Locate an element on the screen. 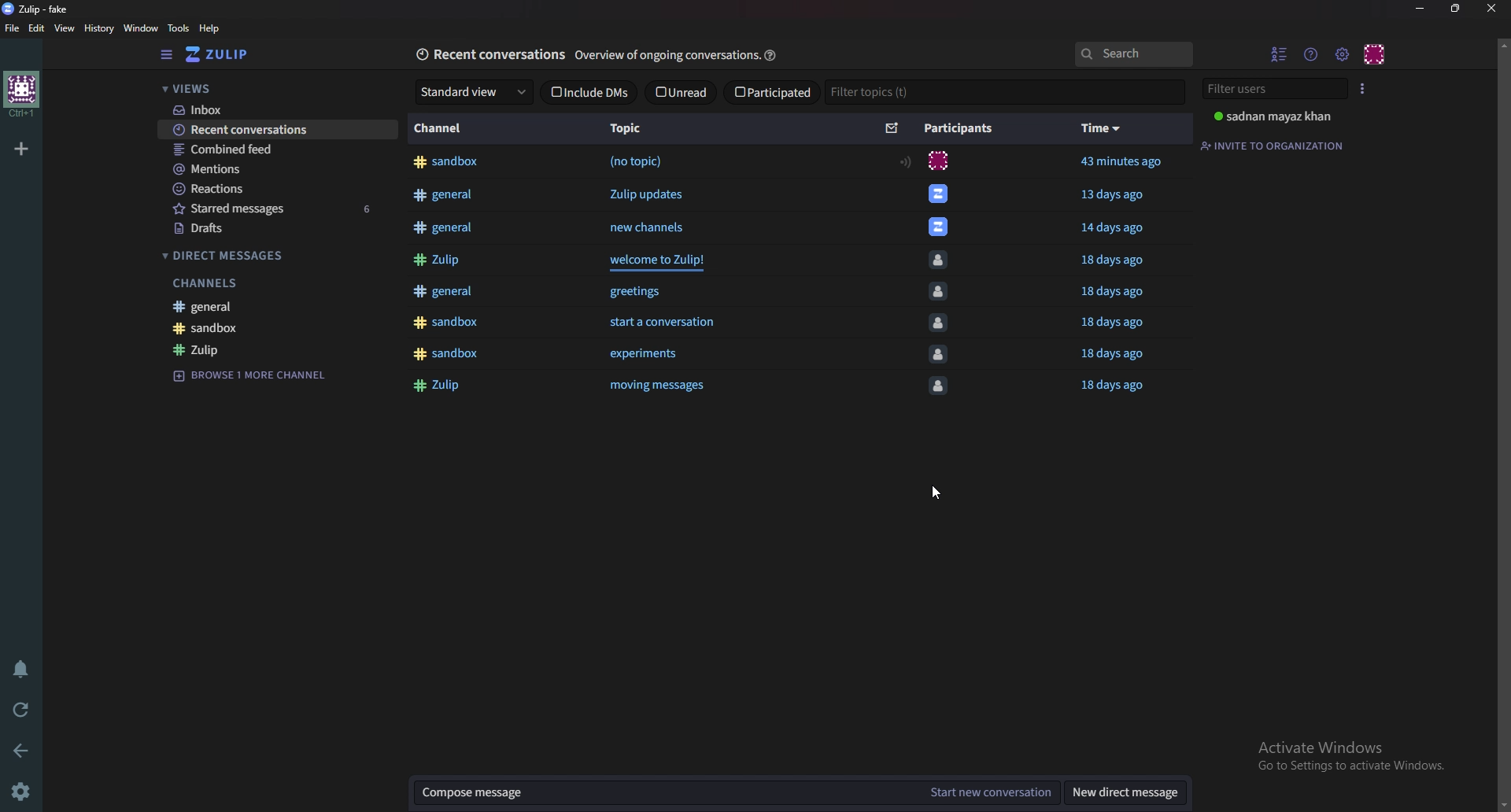 This screenshot has height=812, width=1511.  Personal menu is located at coordinates (1375, 54).